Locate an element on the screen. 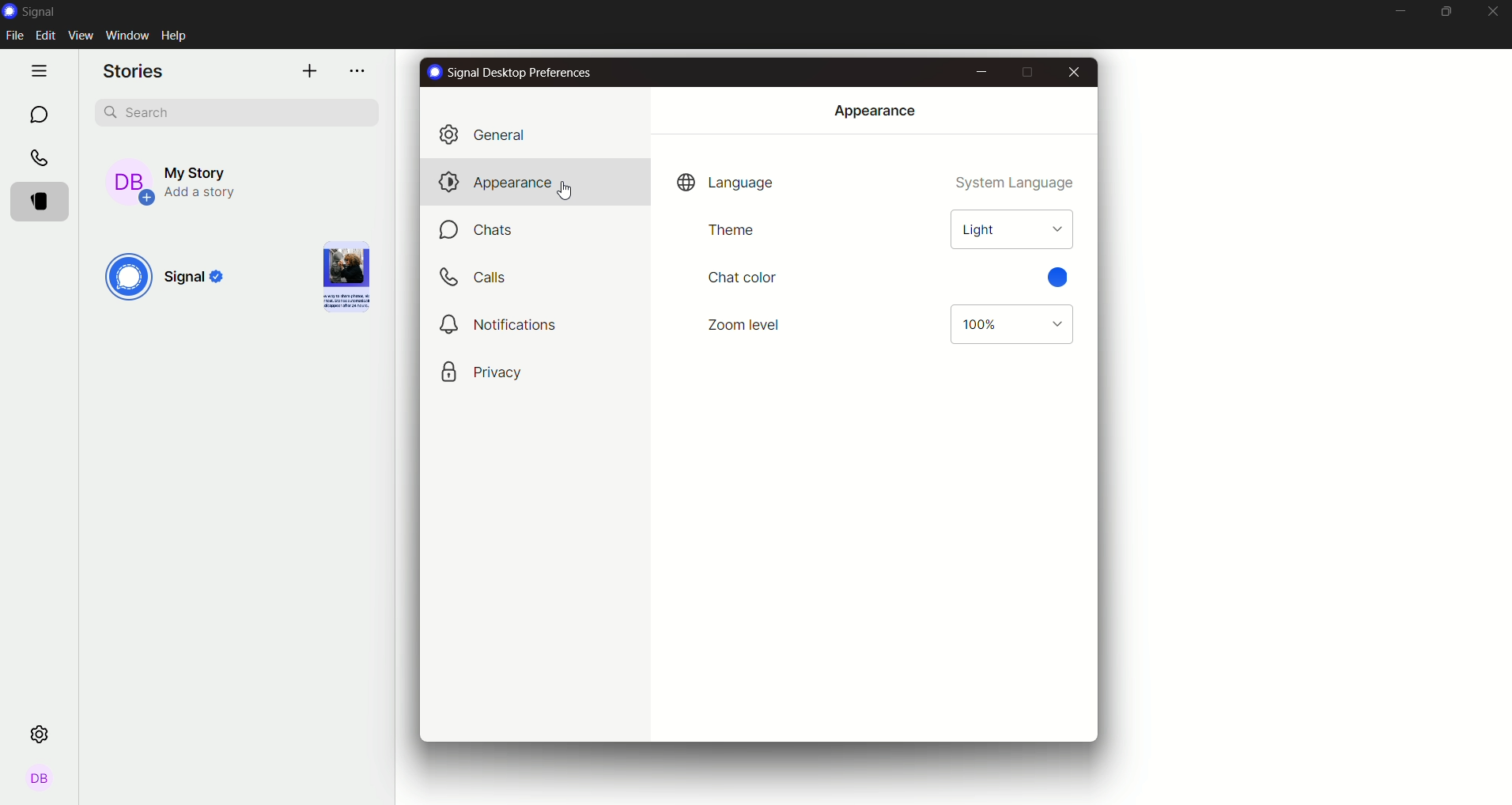 The height and width of the screenshot is (805, 1512). my story is located at coordinates (191, 178).